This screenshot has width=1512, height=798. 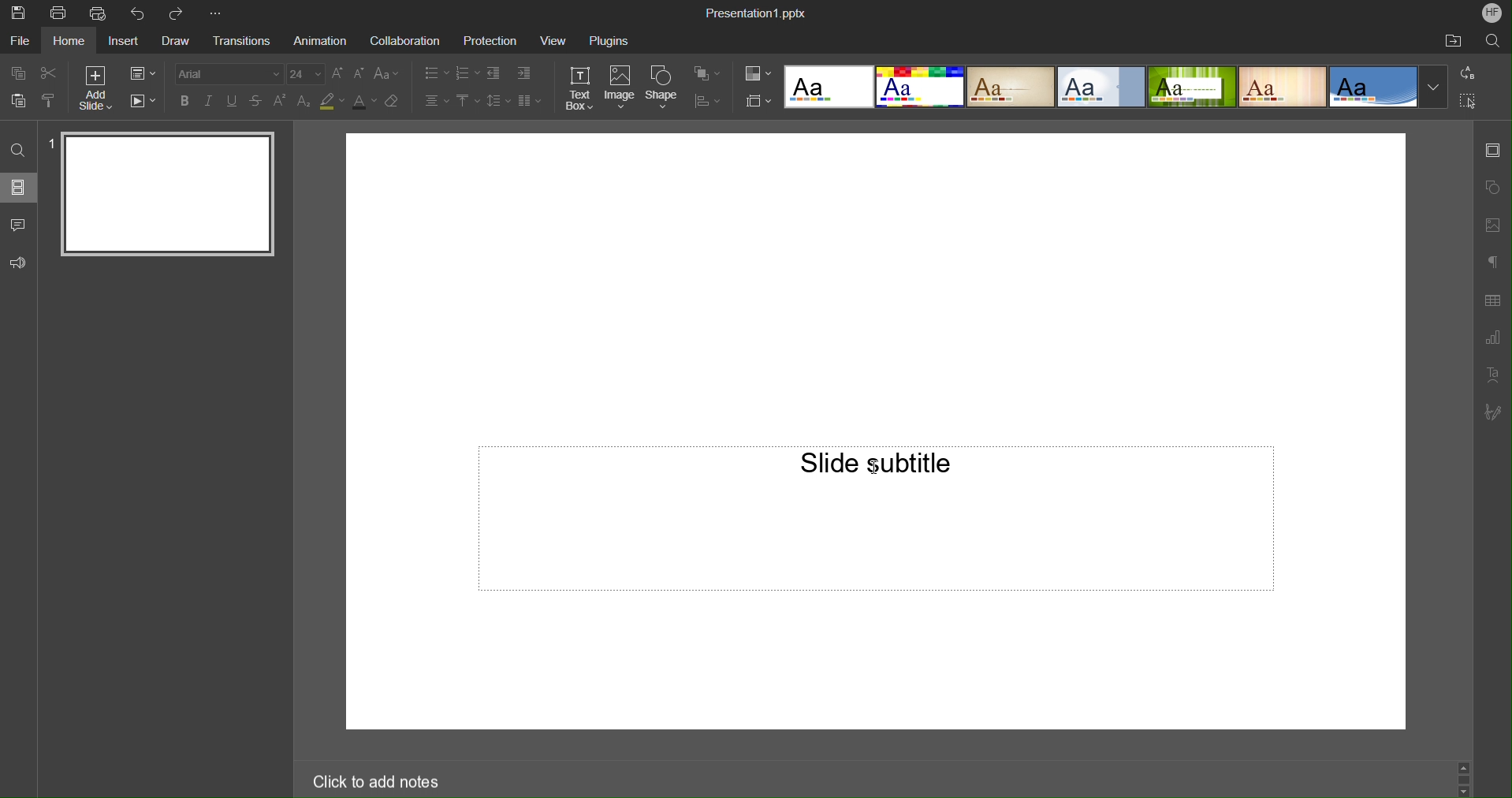 What do you see at coordinates (499, 102) in the screenshot?
I see `Line Spacing` at bounding box center [499, 102].